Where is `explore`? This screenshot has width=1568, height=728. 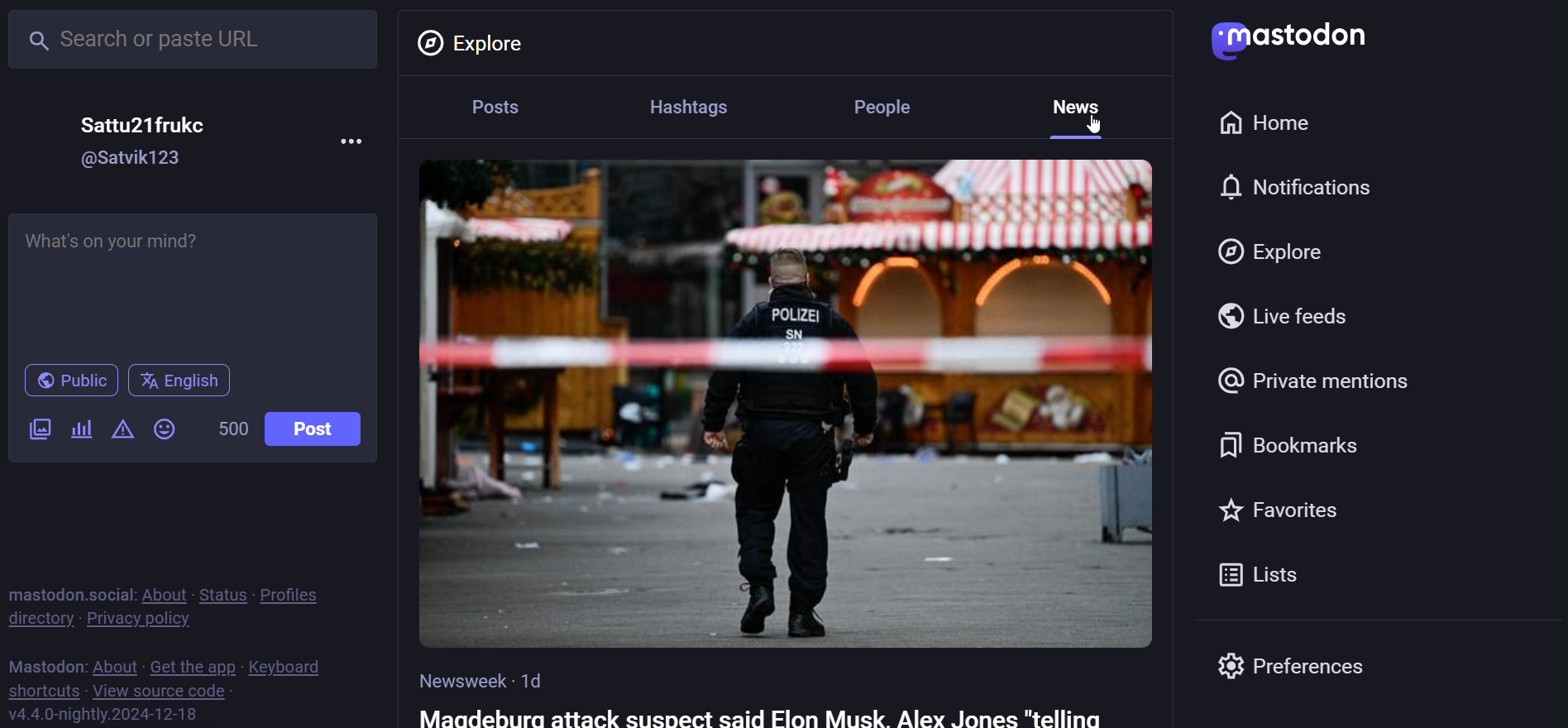 explore is located at coordinates (477, 42).